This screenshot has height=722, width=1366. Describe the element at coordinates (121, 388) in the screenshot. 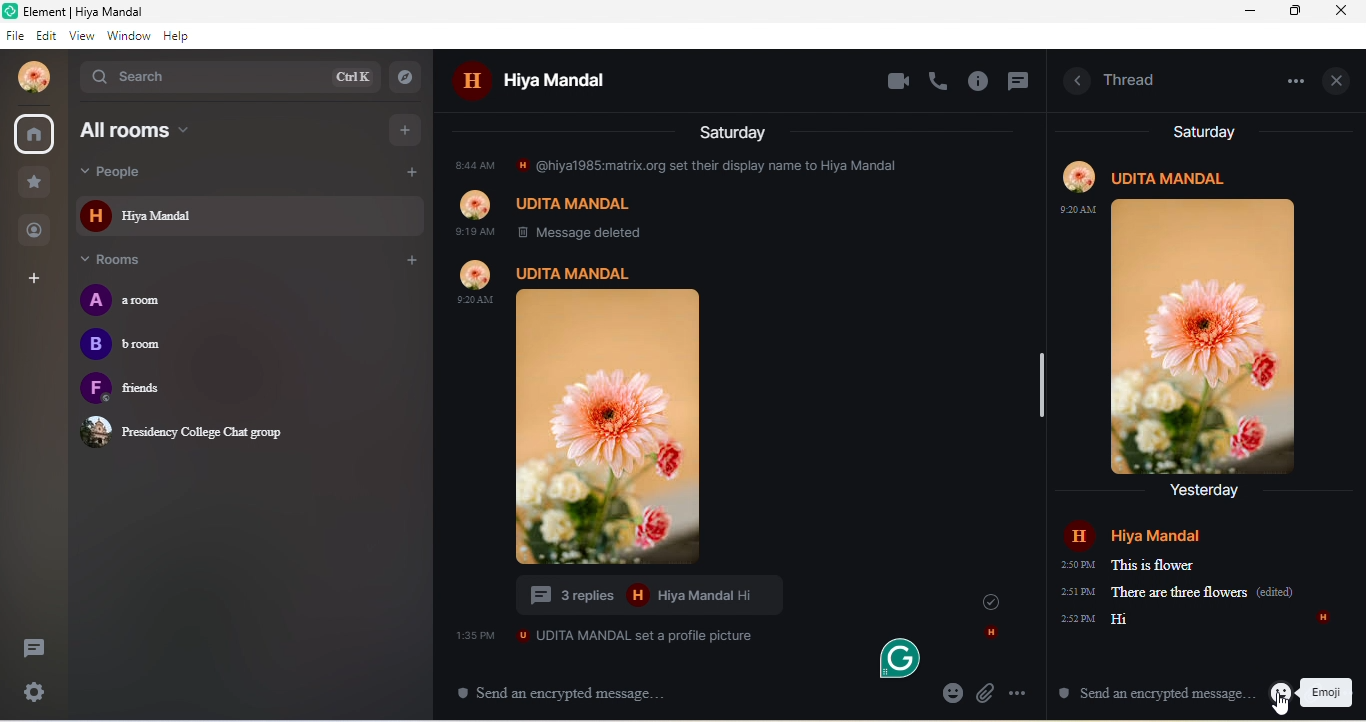

I see `friends` at that location.